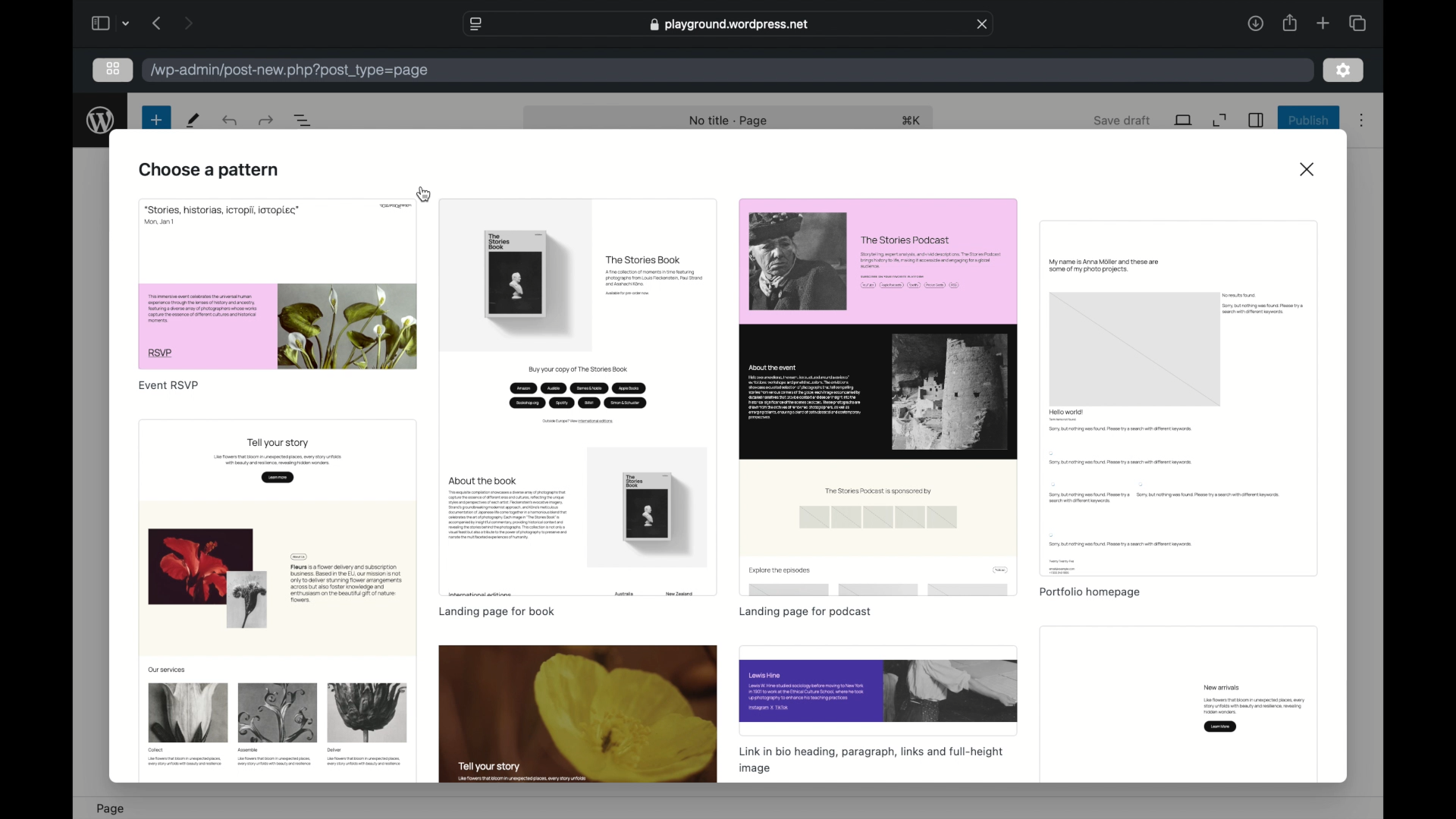  What do you see at coordinates (729, 23) in the screenshot?
I see `web address` at bounding box center [729, 23].